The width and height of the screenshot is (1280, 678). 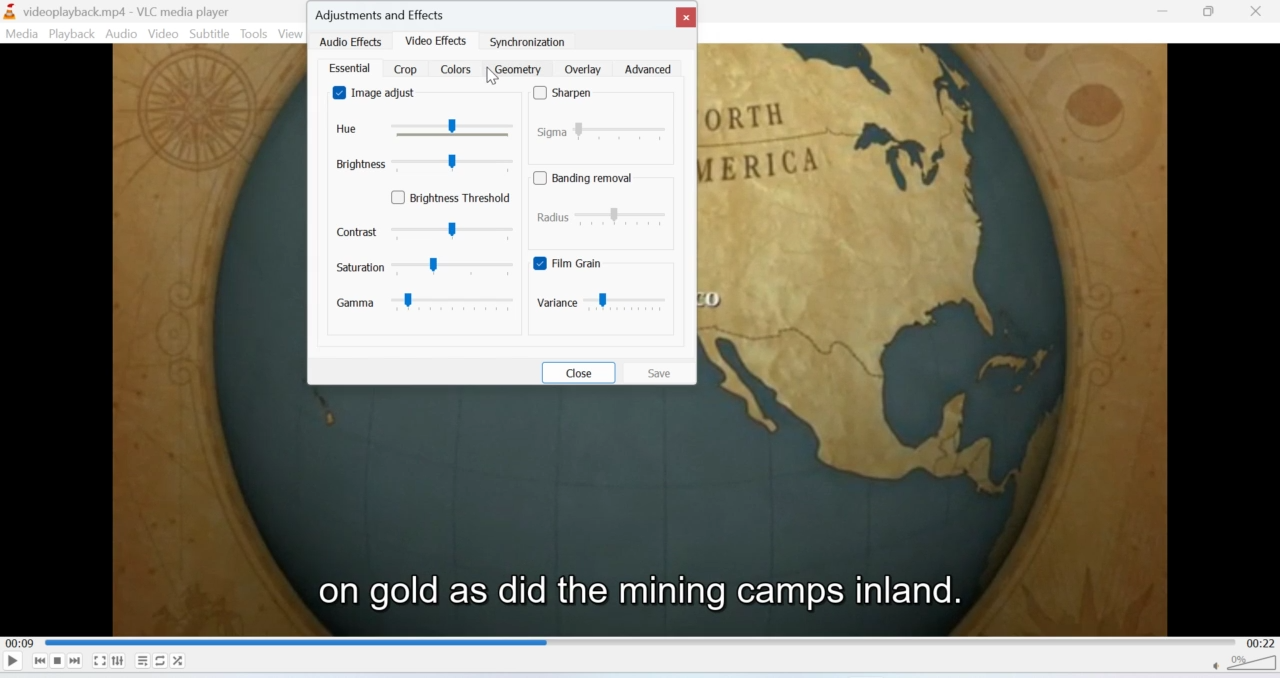 I want to click on videoplayback.mp4-VLC media player, so click(x=117, y=13).